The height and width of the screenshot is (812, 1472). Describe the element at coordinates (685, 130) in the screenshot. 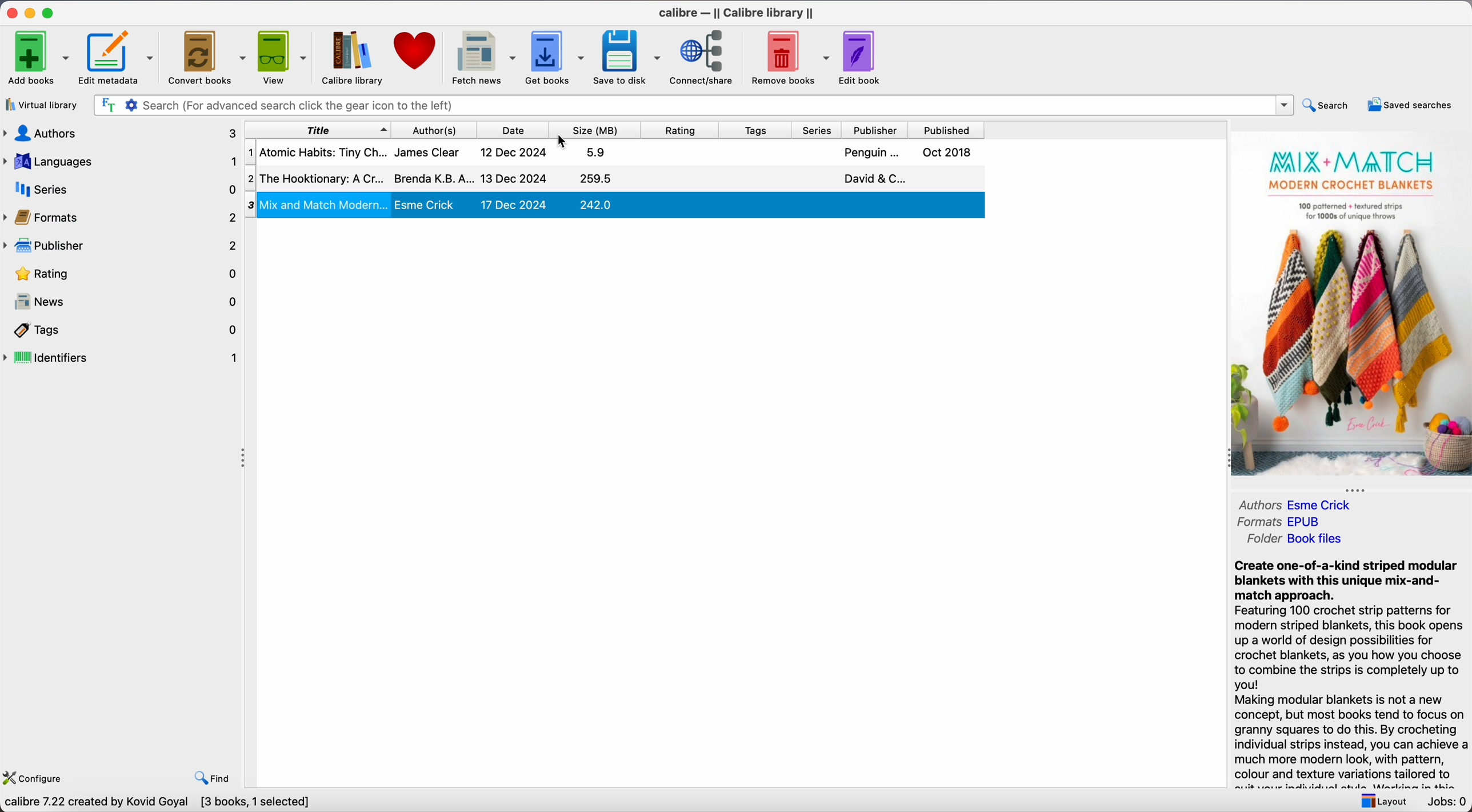

I see `rating` at that location.